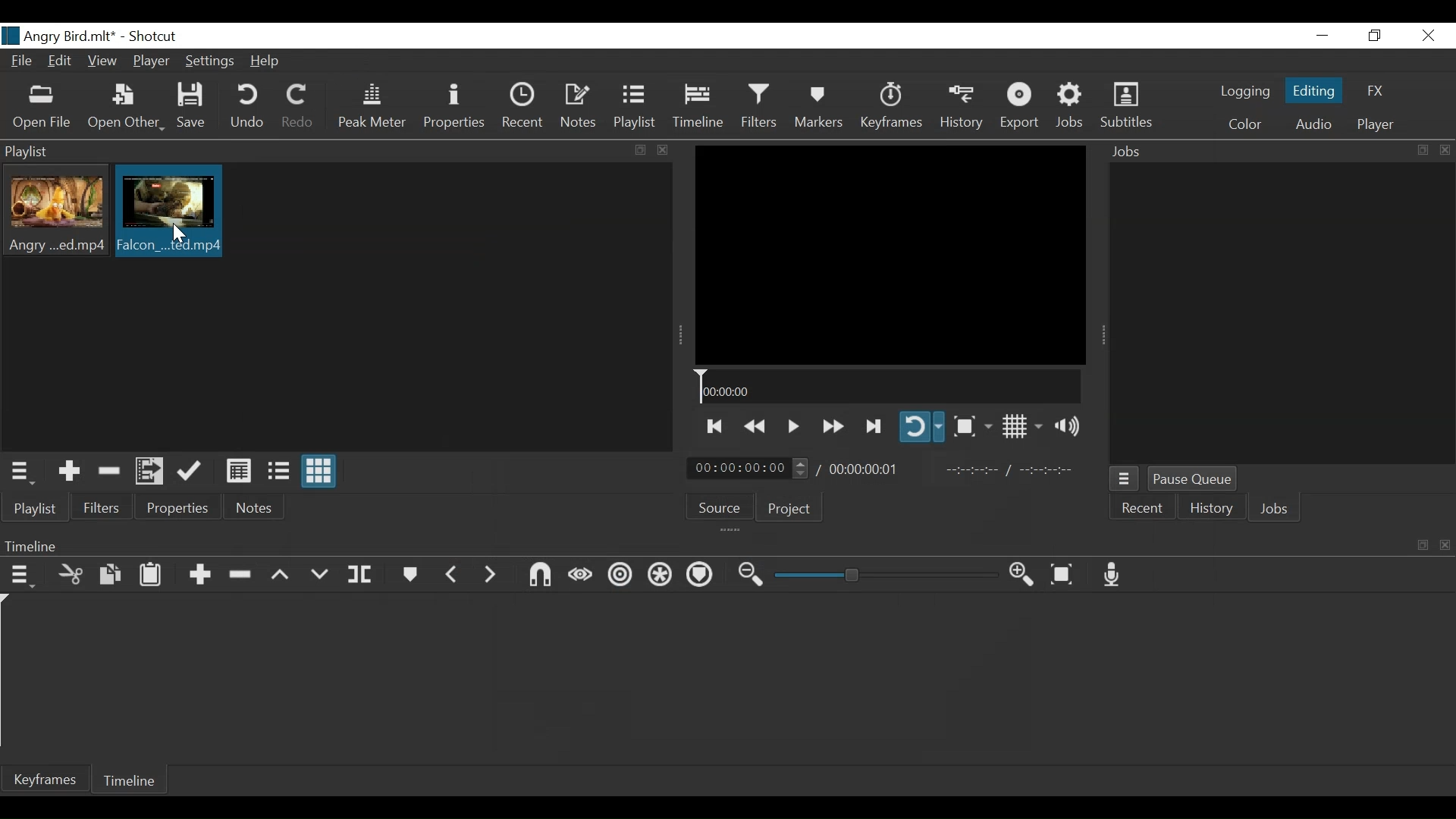 This screenshot has width=1456, height=819. Describe the element at coordinates (962, 107) in the screenshot. I see `History` at that location.